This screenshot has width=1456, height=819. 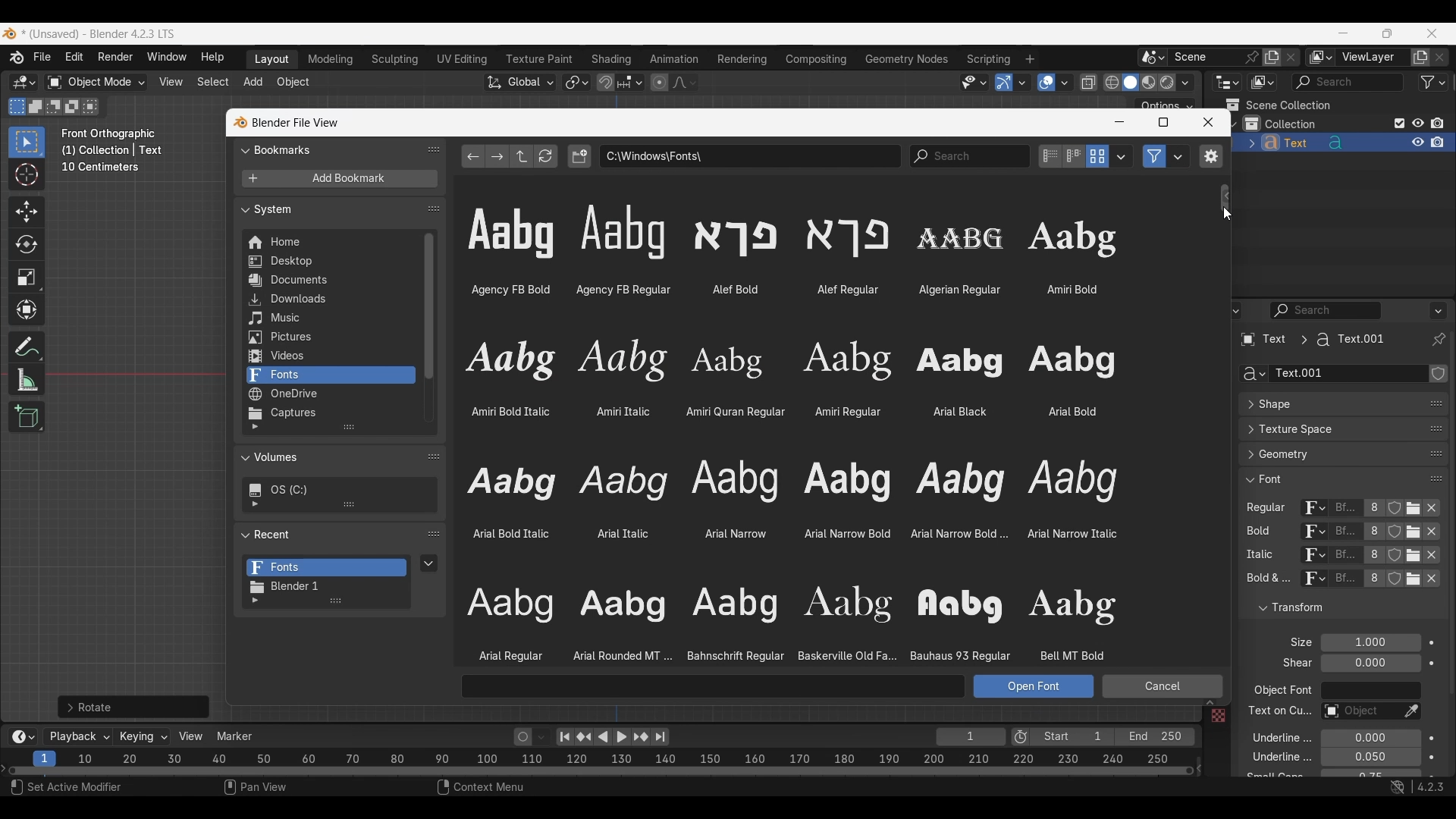 What do you see at coordinates (329, 394) in the screenshot?
I see `OneDrive folder` at bounding box center [329, 394].